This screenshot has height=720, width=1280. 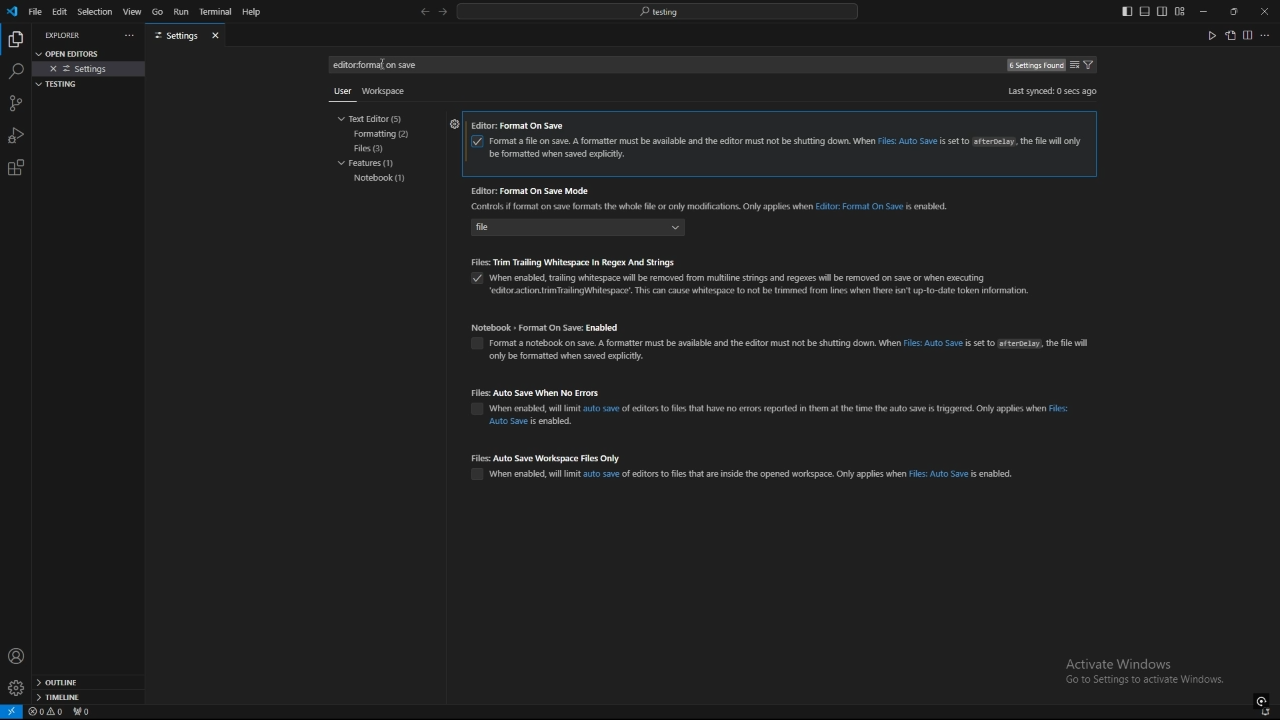 I want to click on view, so click(x=132, y=12).